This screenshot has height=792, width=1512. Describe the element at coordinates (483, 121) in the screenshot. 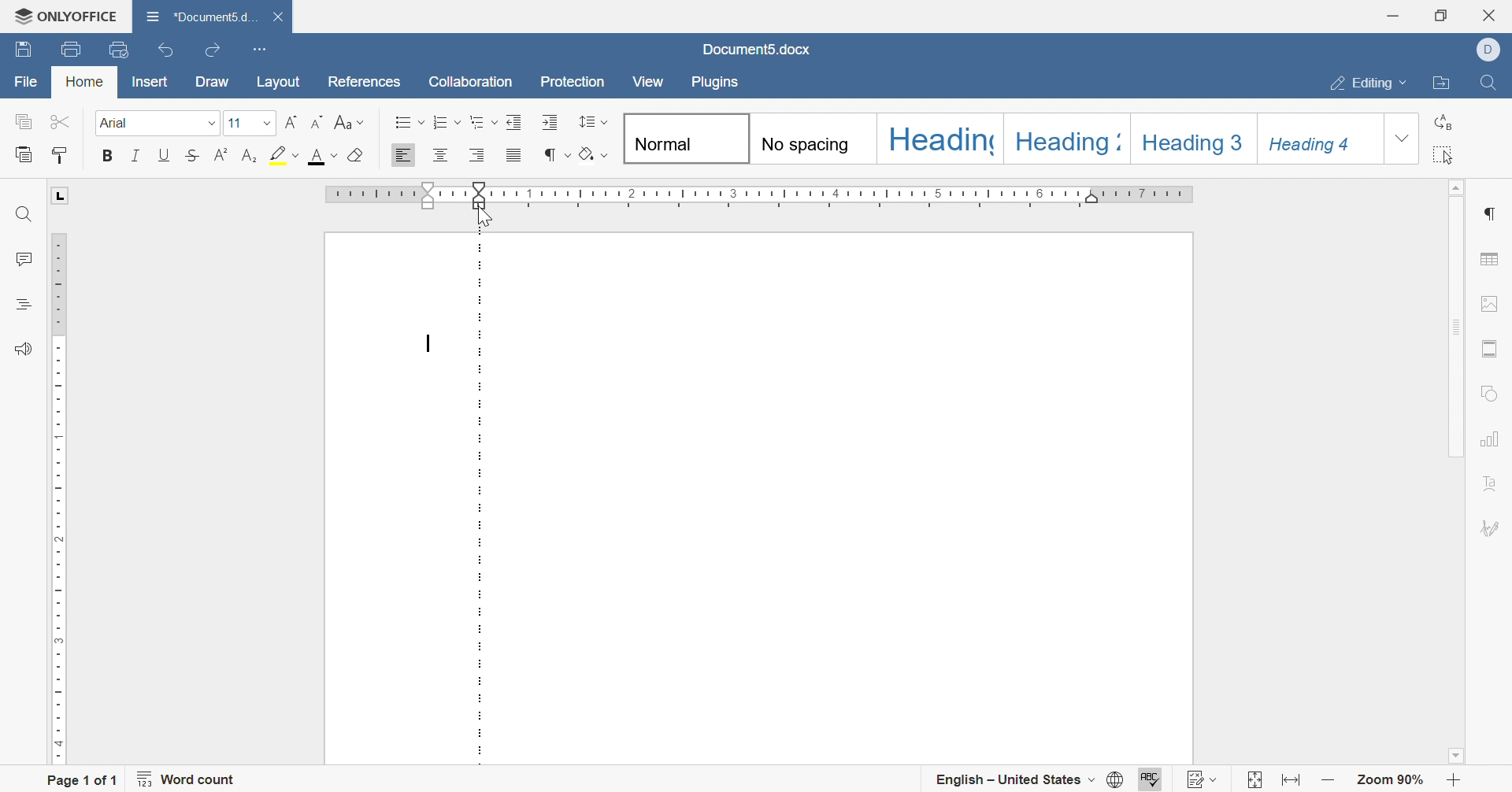

I see `multilevel list` at that location.